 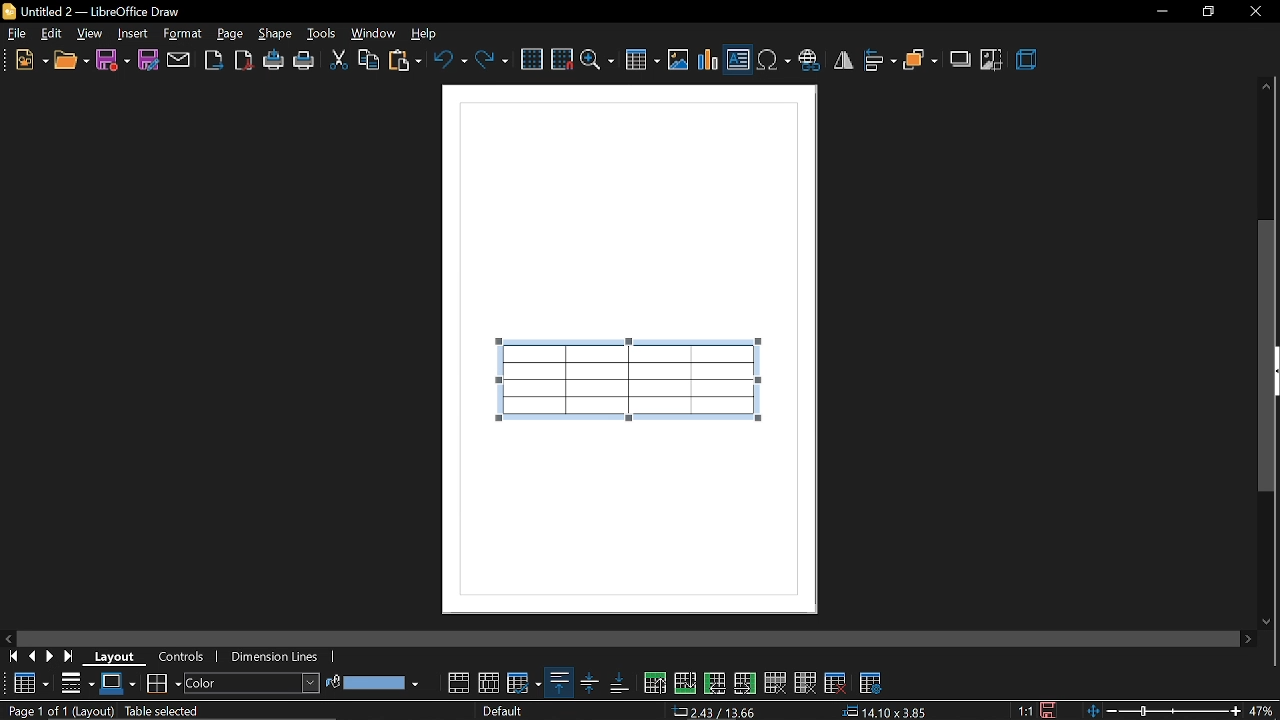 What do you see at coordinates (340, 61) in the screenshot?
I see `cut ` at bounding box center [340, 61].